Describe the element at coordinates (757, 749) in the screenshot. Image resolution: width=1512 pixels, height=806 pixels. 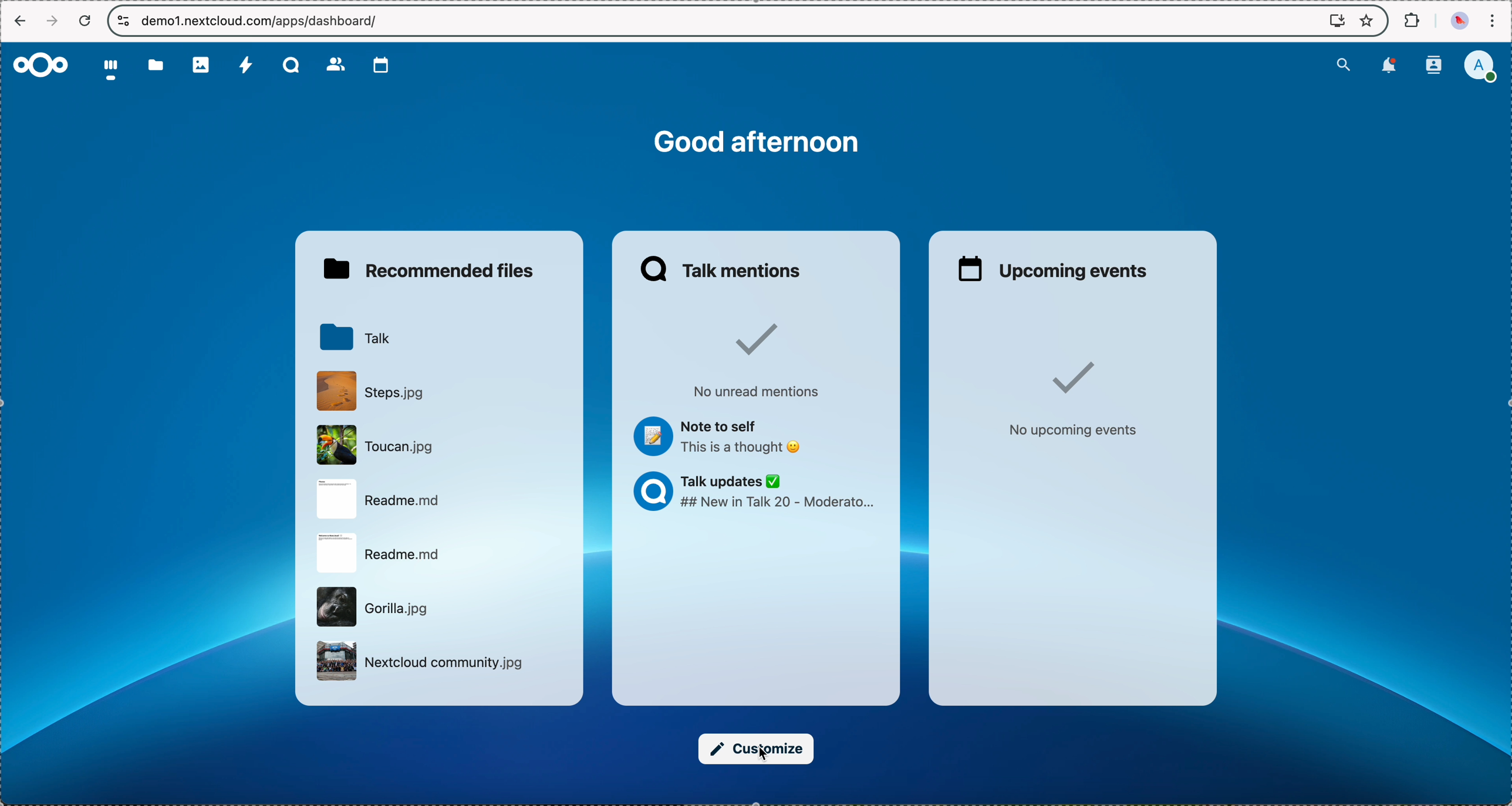
I see `click on customize button` at that location.